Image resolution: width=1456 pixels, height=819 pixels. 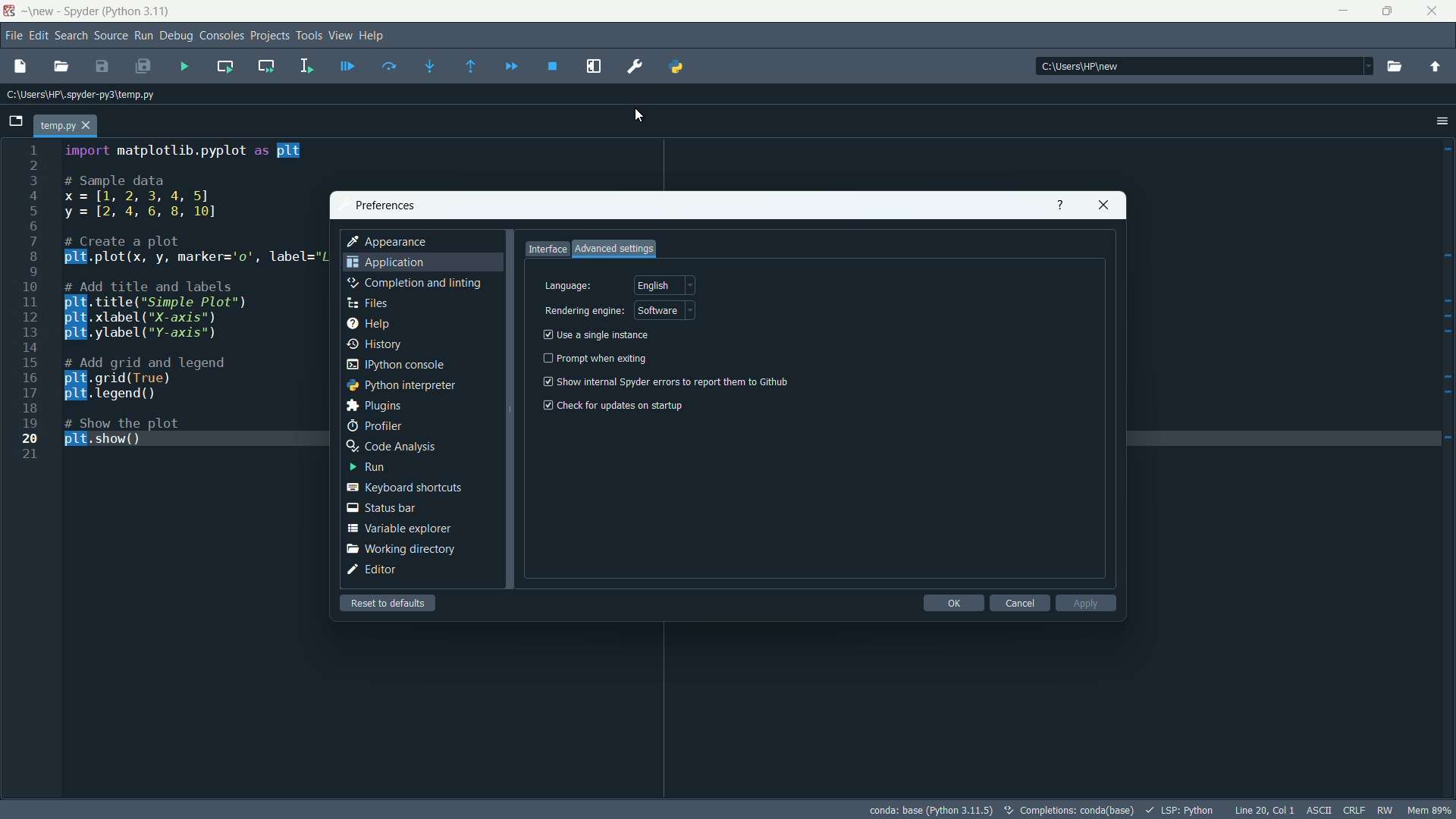 What do you see at coordinates (666, 381) in the screenshot?
I see `show instead spyder errors to report them to github` at bounding box center [666, 381].